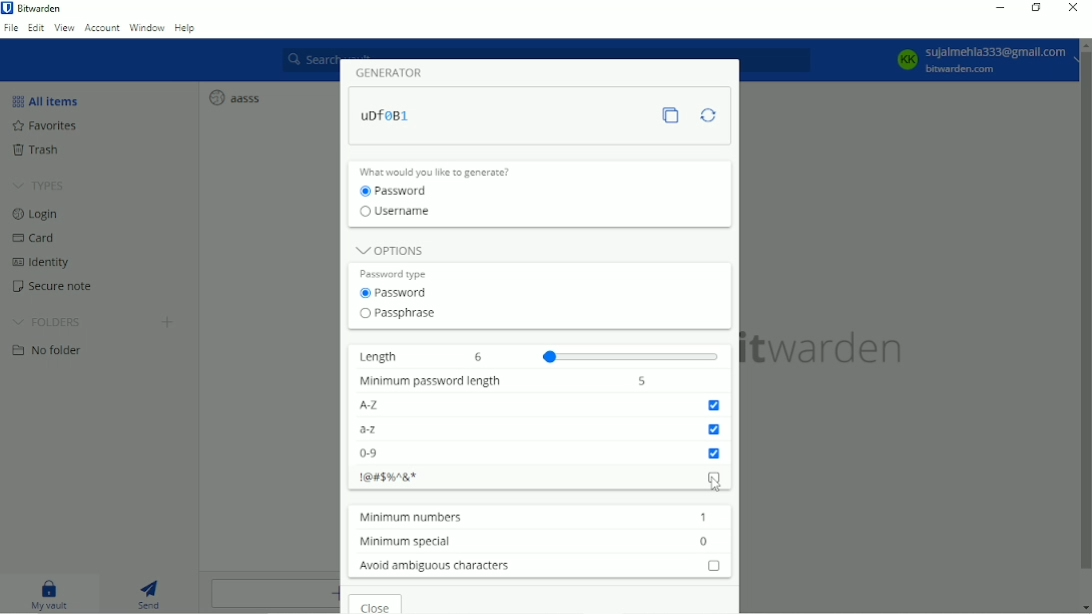 The width and height of the screenshot is (1092, 614). Describe the element at coordinates (37, 213) in the screenshot. I see `Login` at that location.